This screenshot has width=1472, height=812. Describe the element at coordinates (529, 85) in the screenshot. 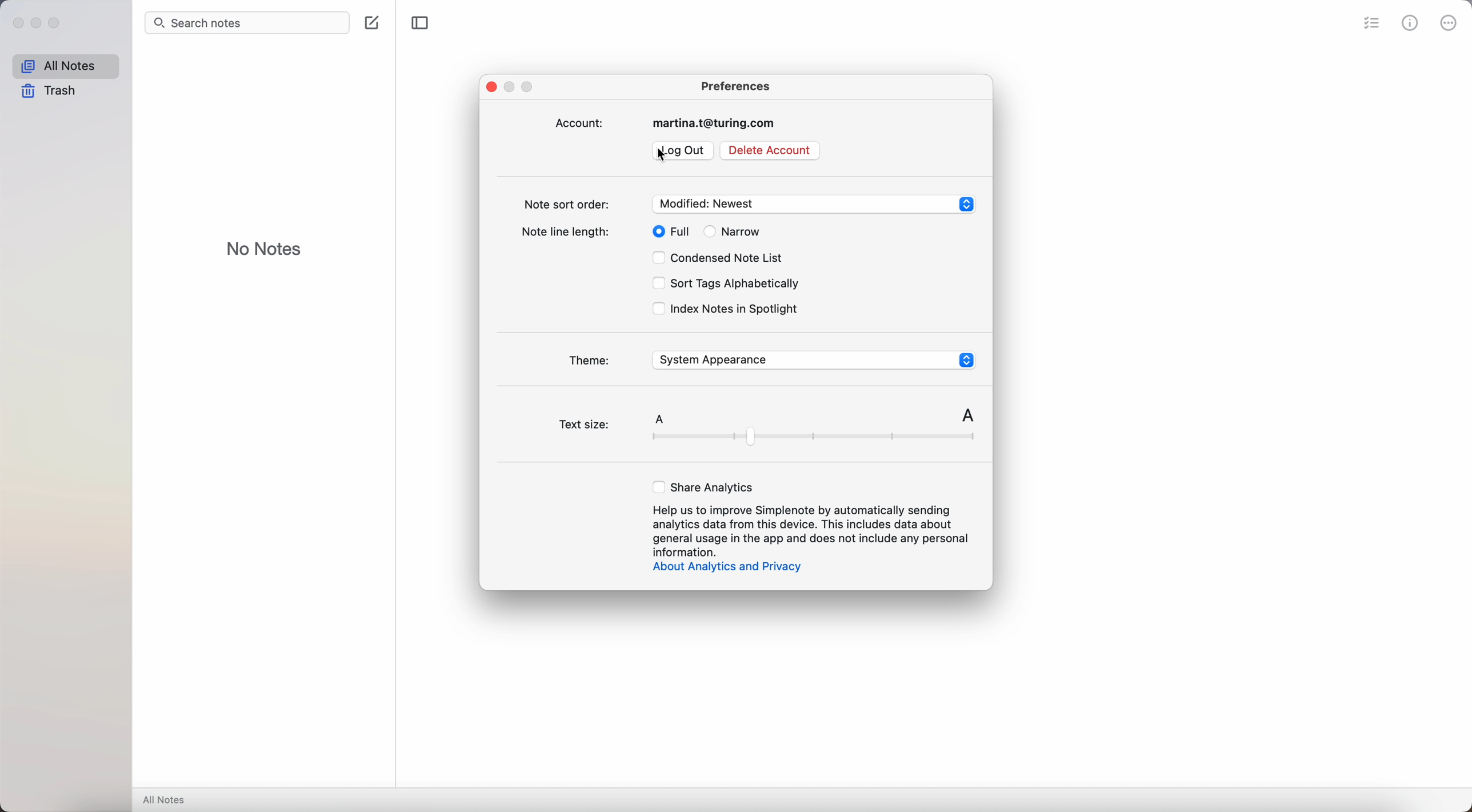

I see `maximize popup` at that location.